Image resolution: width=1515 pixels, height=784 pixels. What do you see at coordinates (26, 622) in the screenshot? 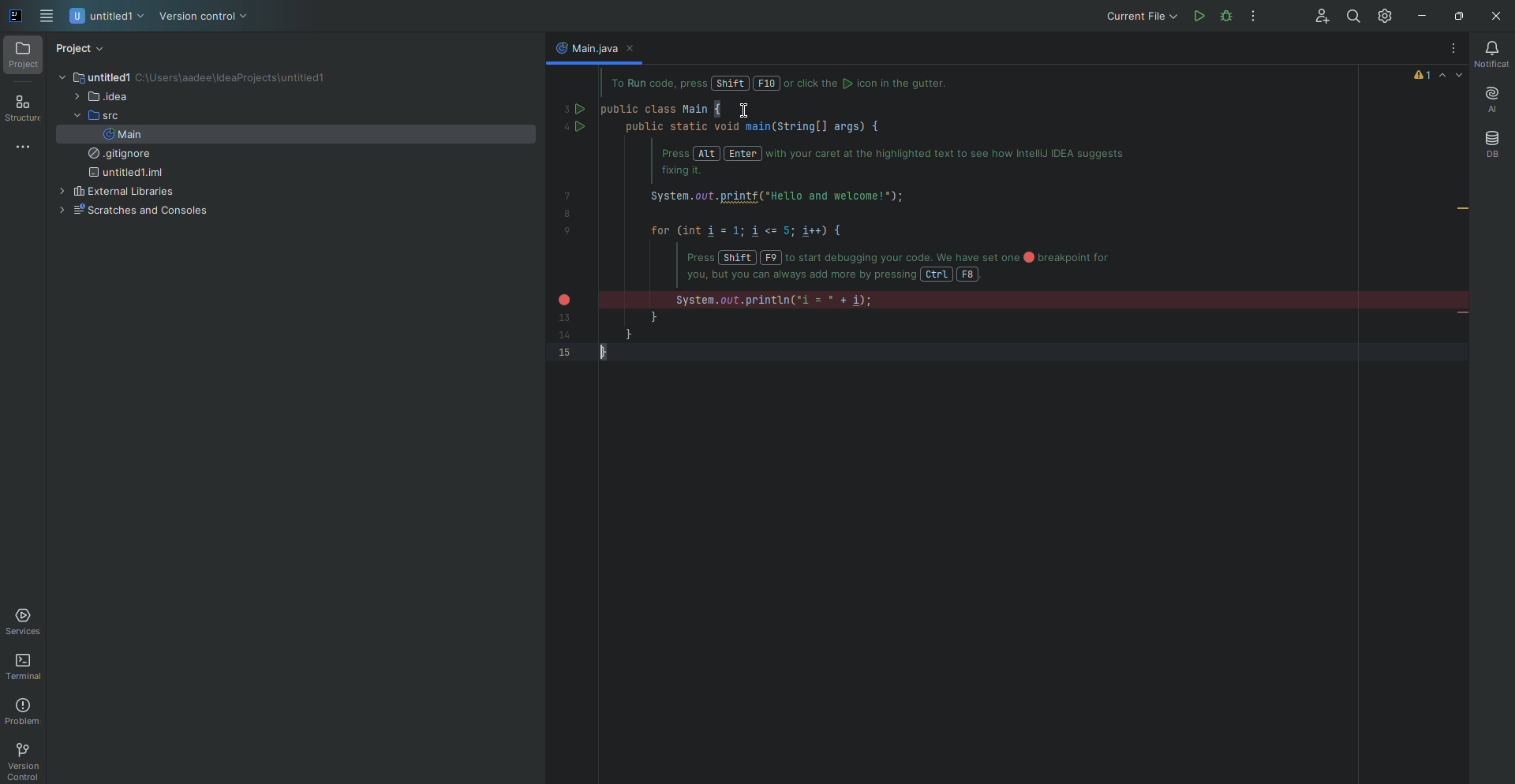
I see `Services` at bounding box center [26, 622].